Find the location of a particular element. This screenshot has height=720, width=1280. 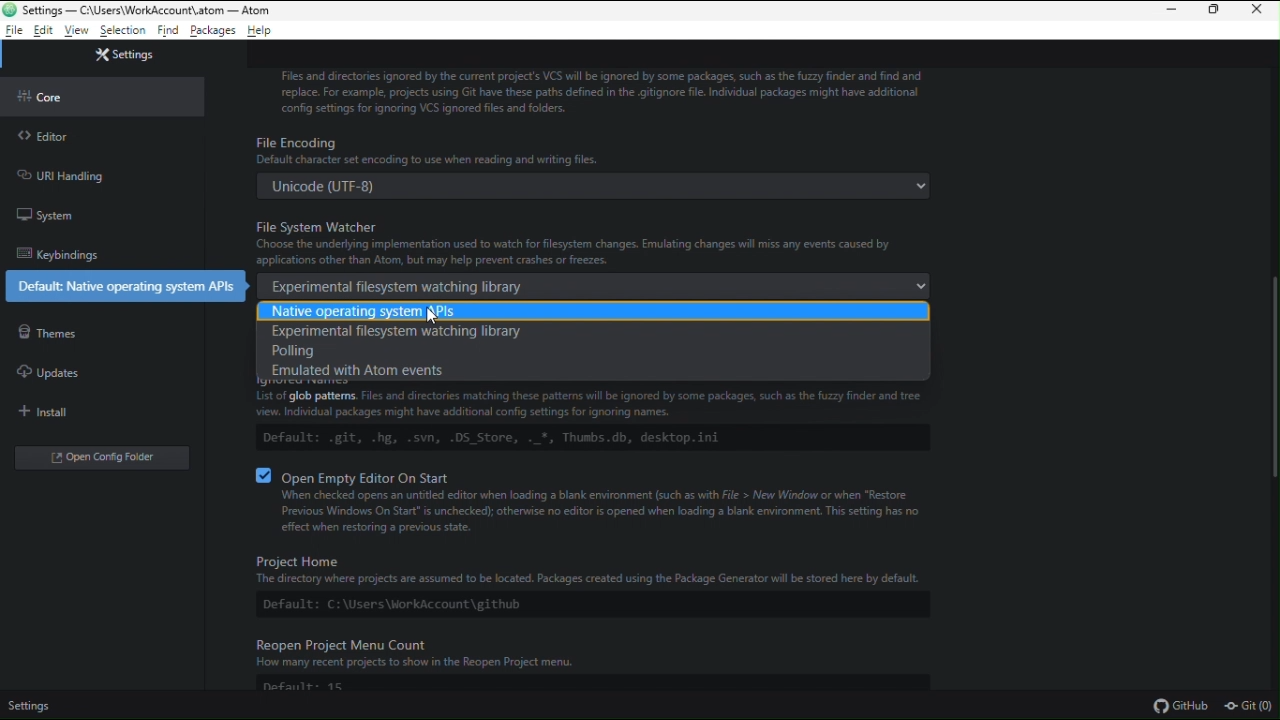

github is located at coordinates (1179, 705).